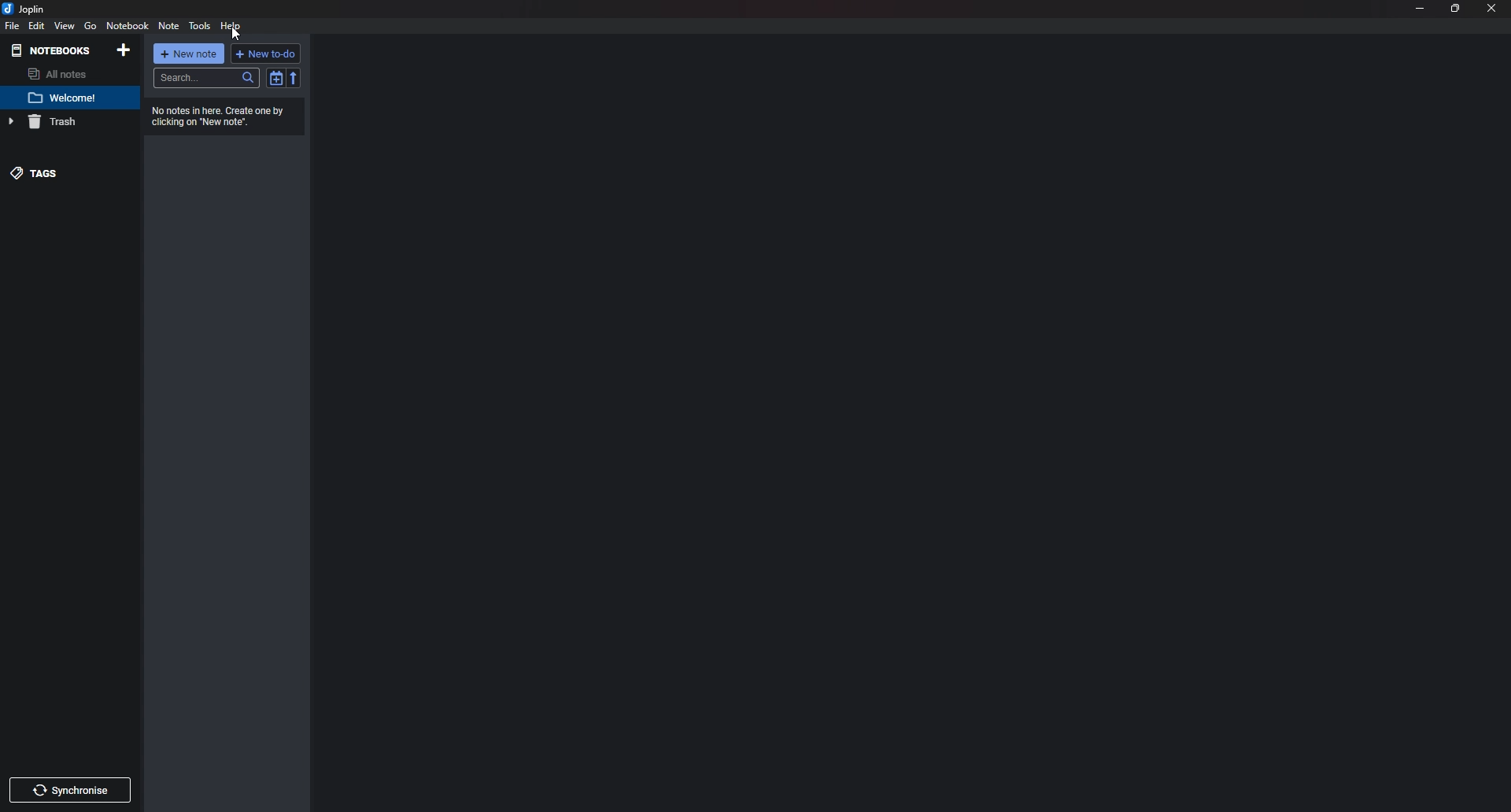 This screenshot has width=1511, height=812. What do you see at coordinates (127, 26) in the screenshot?
I see `note Book` at bounding box center [127, 26].